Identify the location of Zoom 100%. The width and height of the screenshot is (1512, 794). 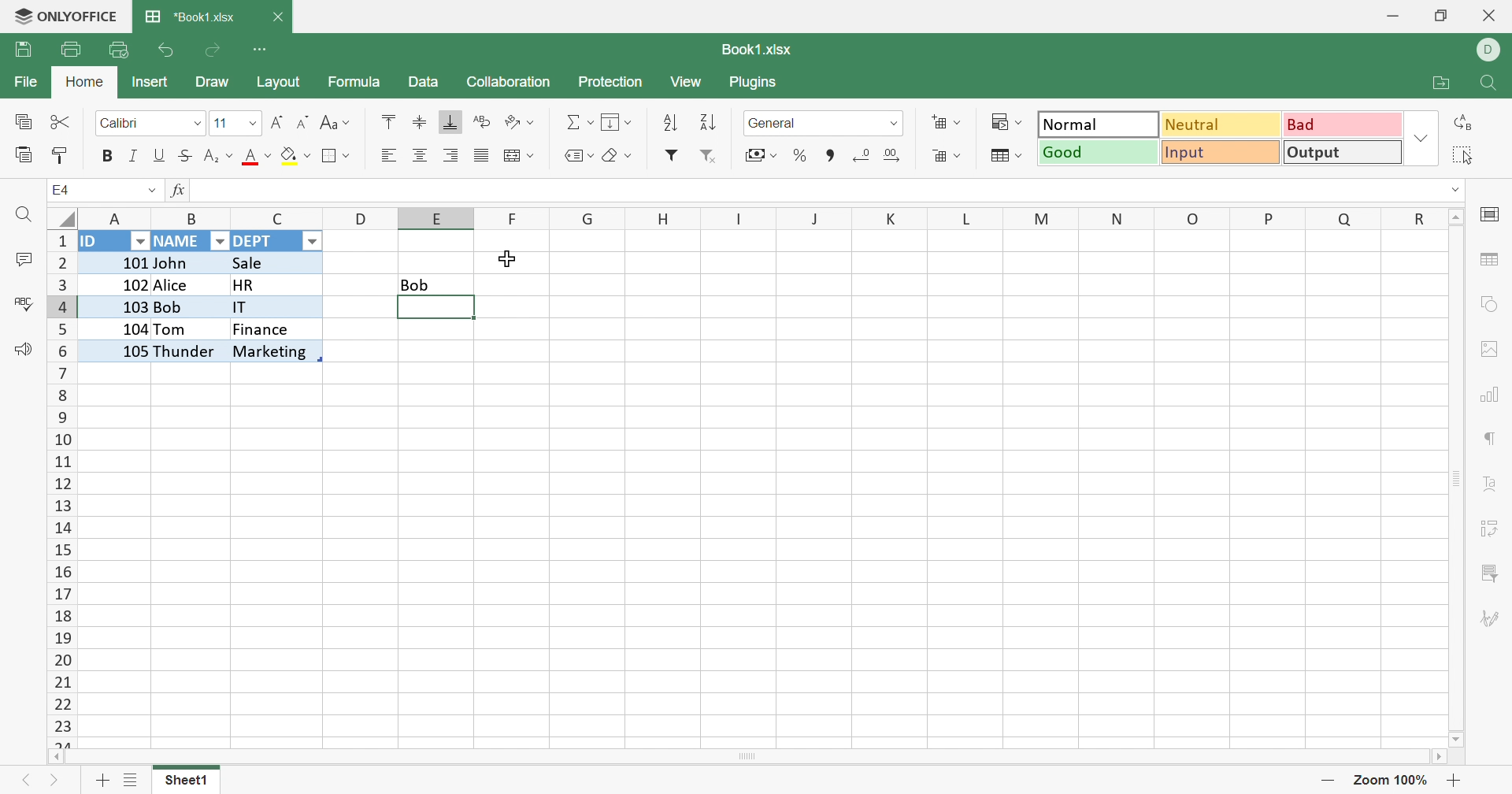
(1392, 781).